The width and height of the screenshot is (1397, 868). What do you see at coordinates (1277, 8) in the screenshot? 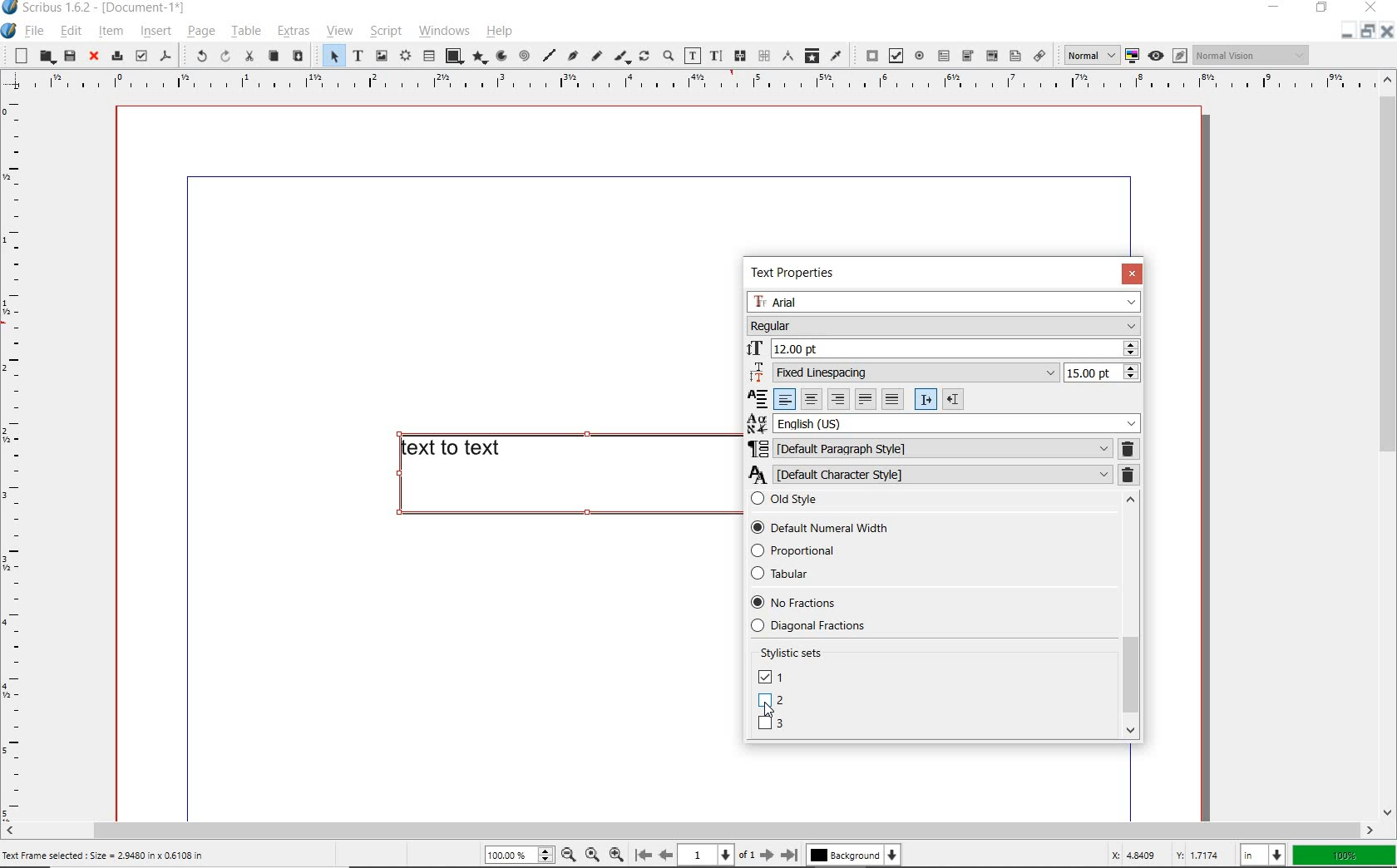
I see `minimize` at bounding box center [1277, 8].